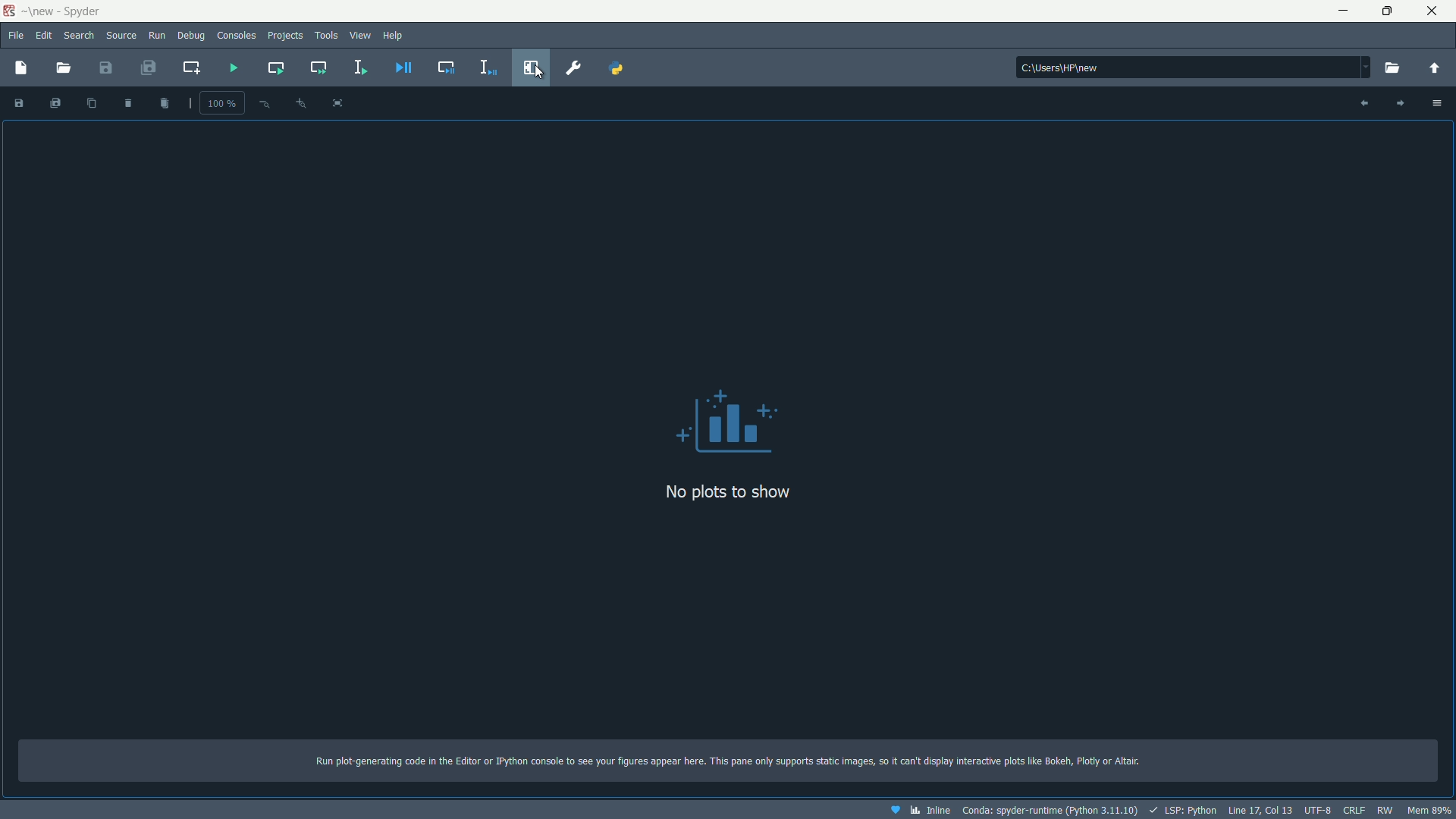 The width and height of the screenshot is (1456, 819). Describe the element at coordinates (533, 67) in the screenshot. I see `restore pane` at that location.